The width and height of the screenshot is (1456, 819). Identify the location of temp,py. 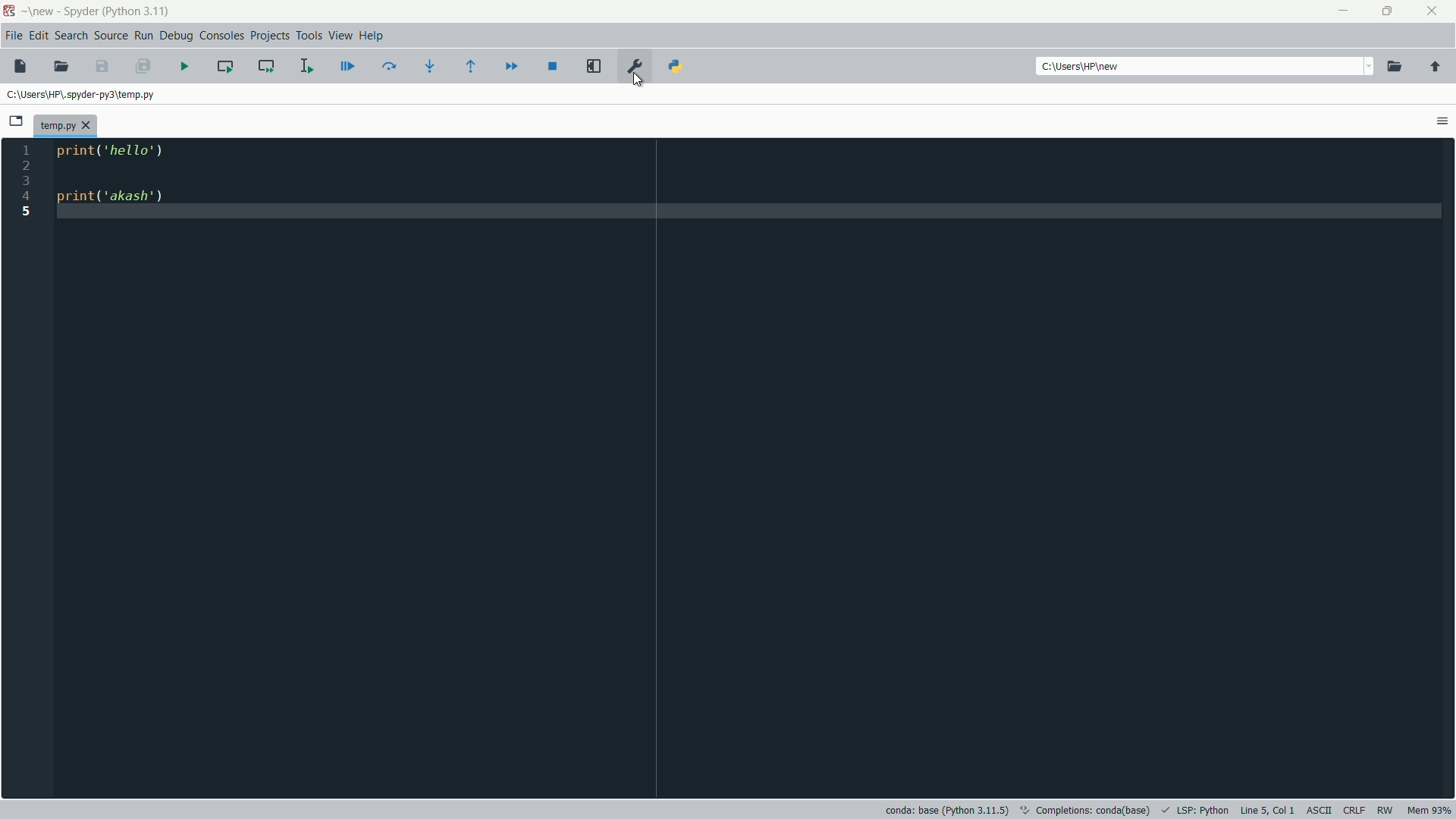
(76, 124).